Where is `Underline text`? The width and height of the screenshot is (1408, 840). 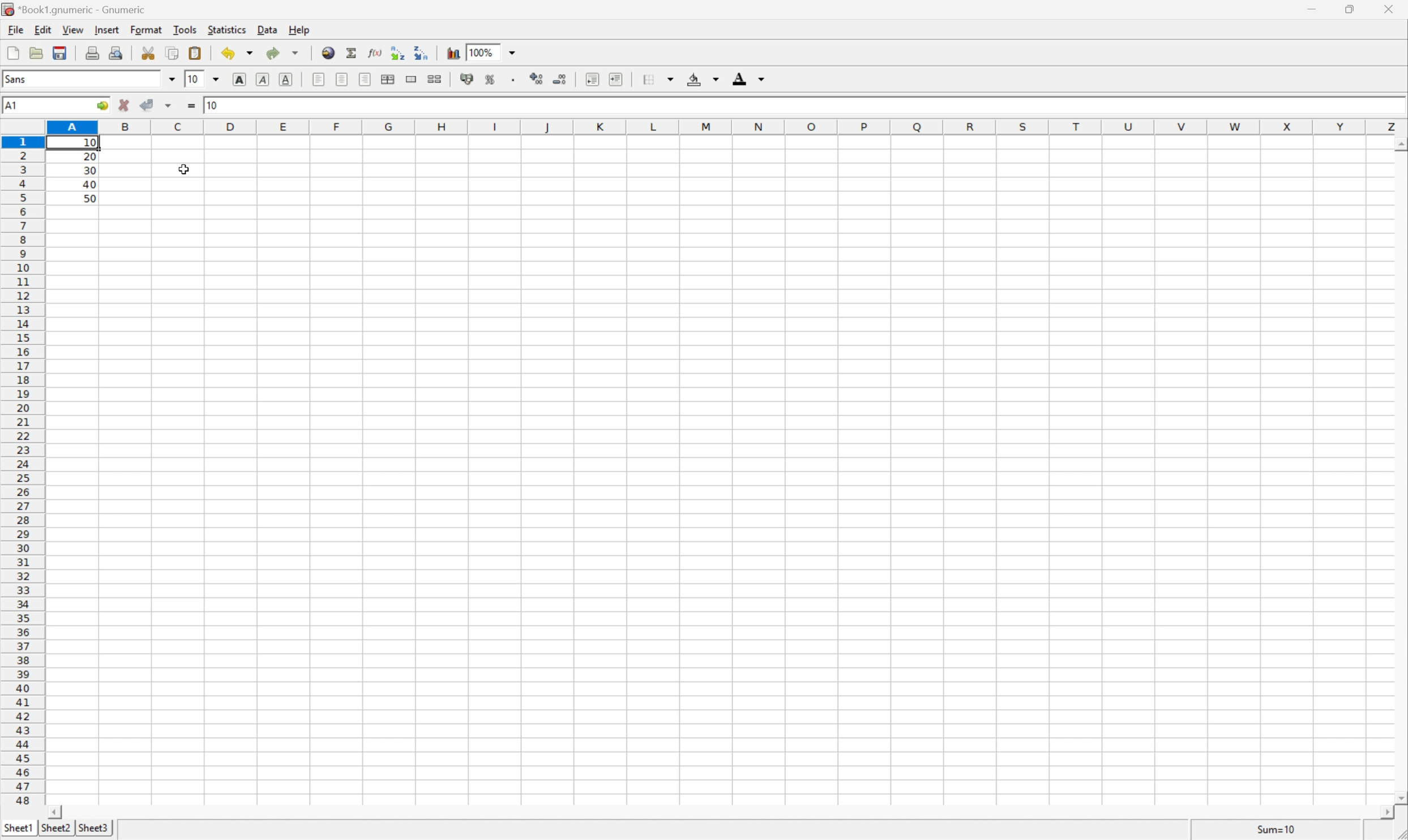
Underline text is located at coordinates (286, 81).